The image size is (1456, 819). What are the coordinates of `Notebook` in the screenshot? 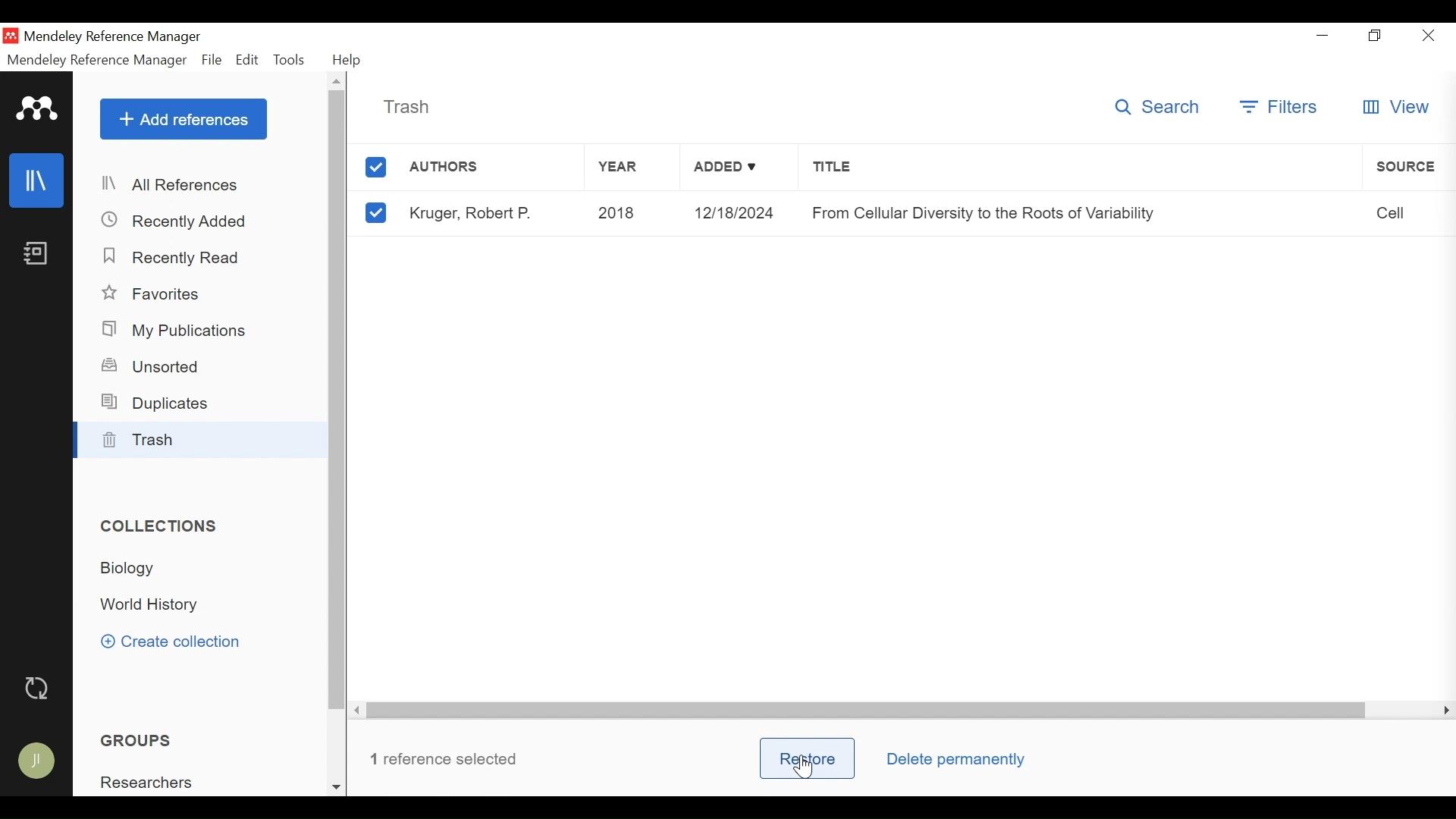 It's located at (35, 255).